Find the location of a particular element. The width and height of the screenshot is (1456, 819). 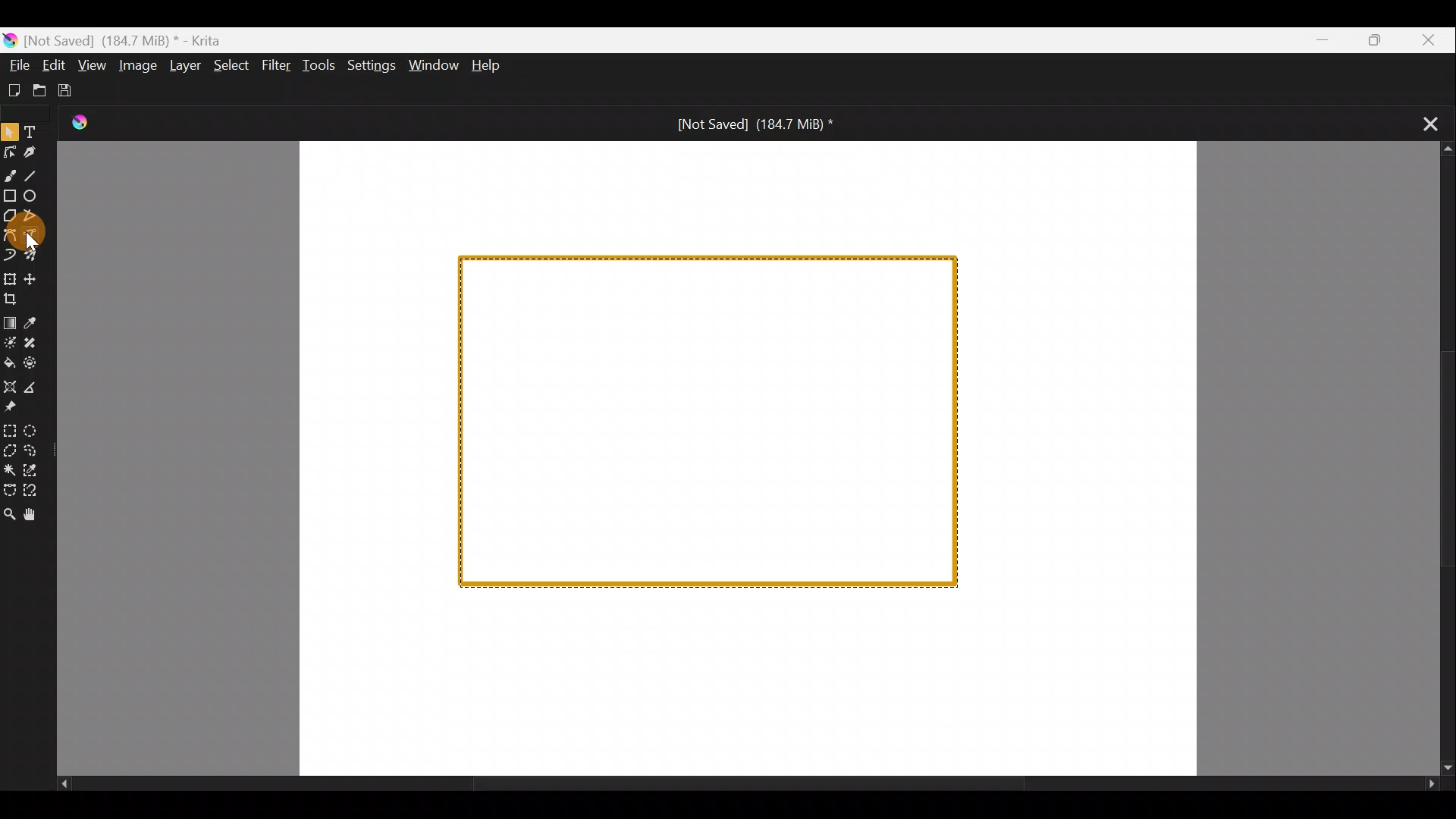

Enclose & fill tool is located at coordinates (33, 366).